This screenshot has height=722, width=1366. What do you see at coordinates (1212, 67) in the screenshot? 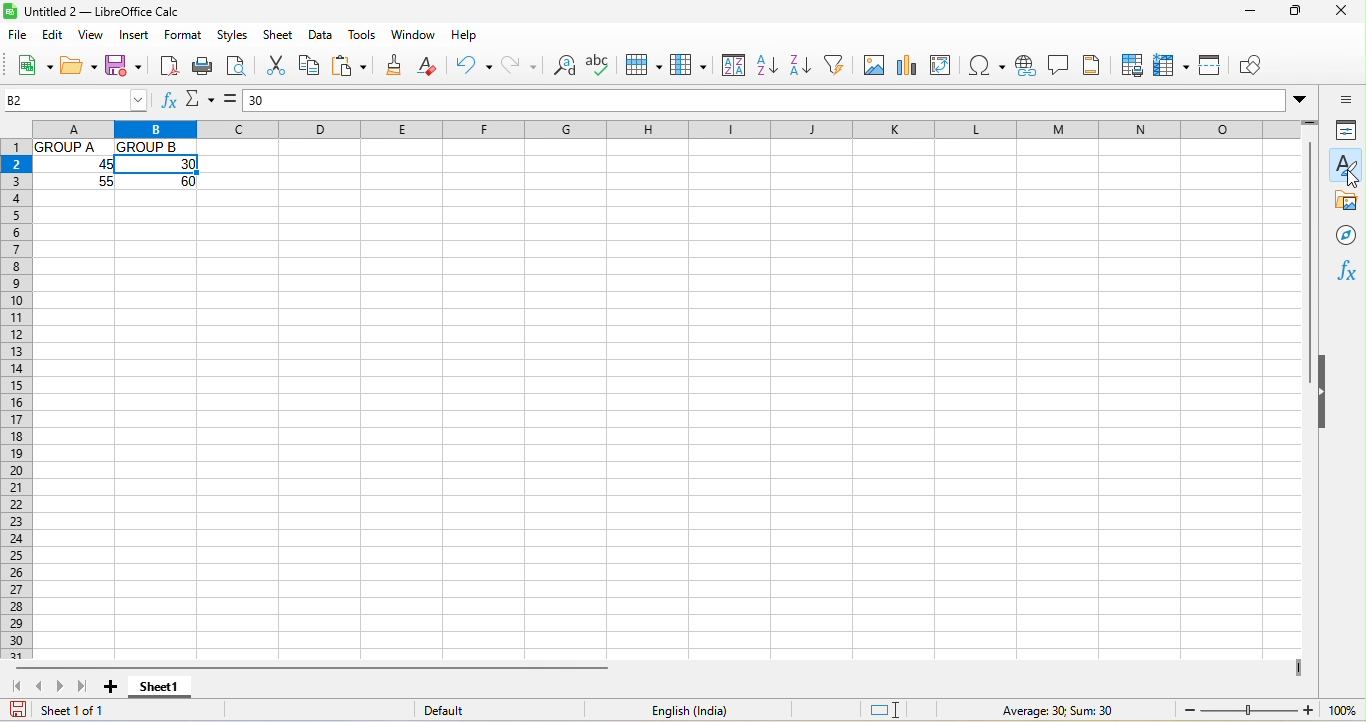
I see `split window` at bounding box center [1212, 67].